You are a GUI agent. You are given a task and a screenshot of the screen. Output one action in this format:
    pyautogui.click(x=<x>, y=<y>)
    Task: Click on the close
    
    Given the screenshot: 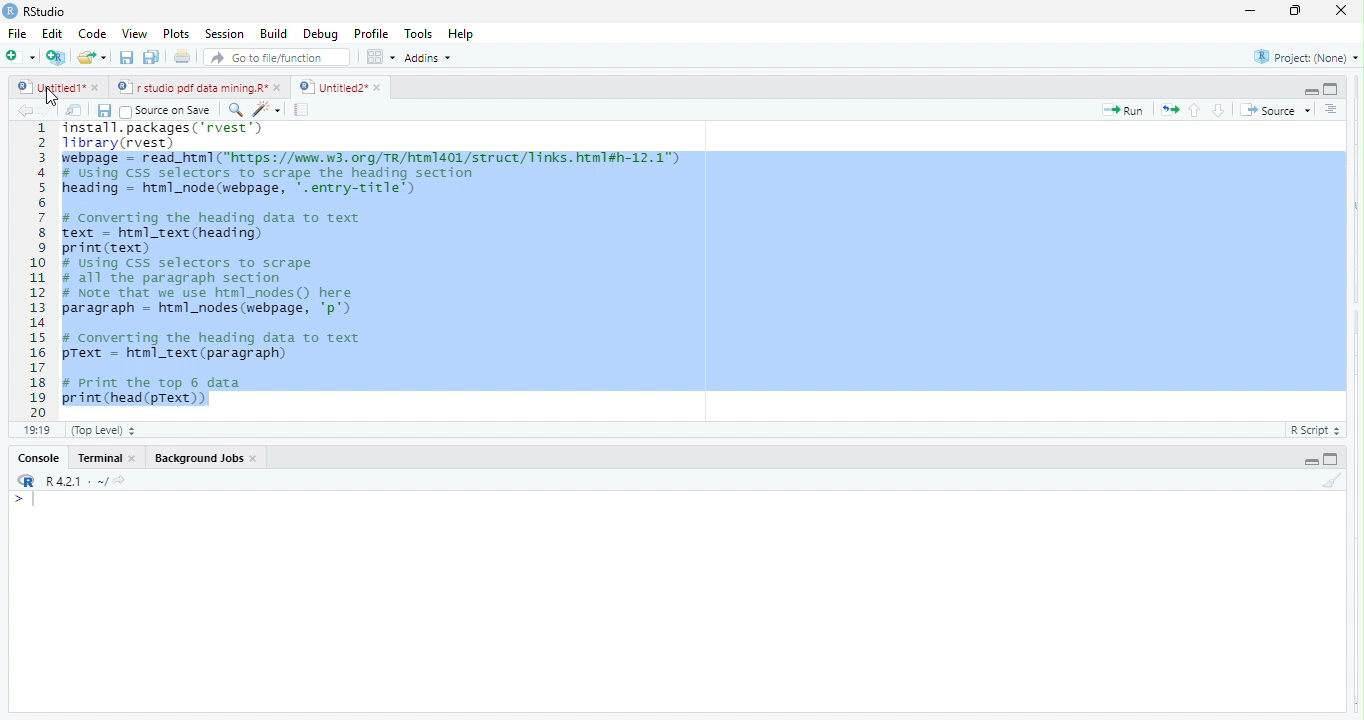 What is the action you would take?
    pyautogui.click(x=98, y=89)
    